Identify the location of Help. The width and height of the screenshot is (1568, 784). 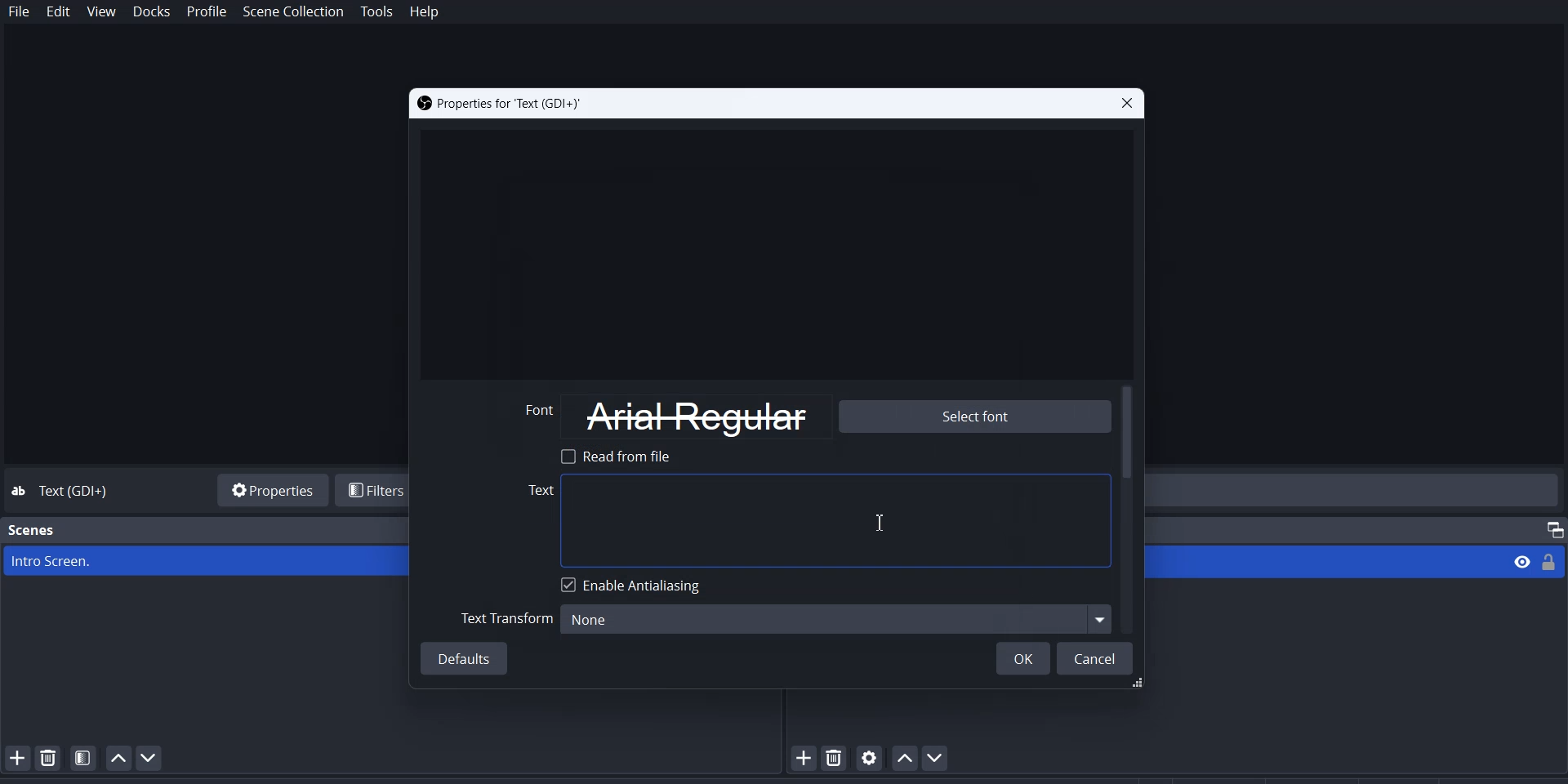
(424, 13).